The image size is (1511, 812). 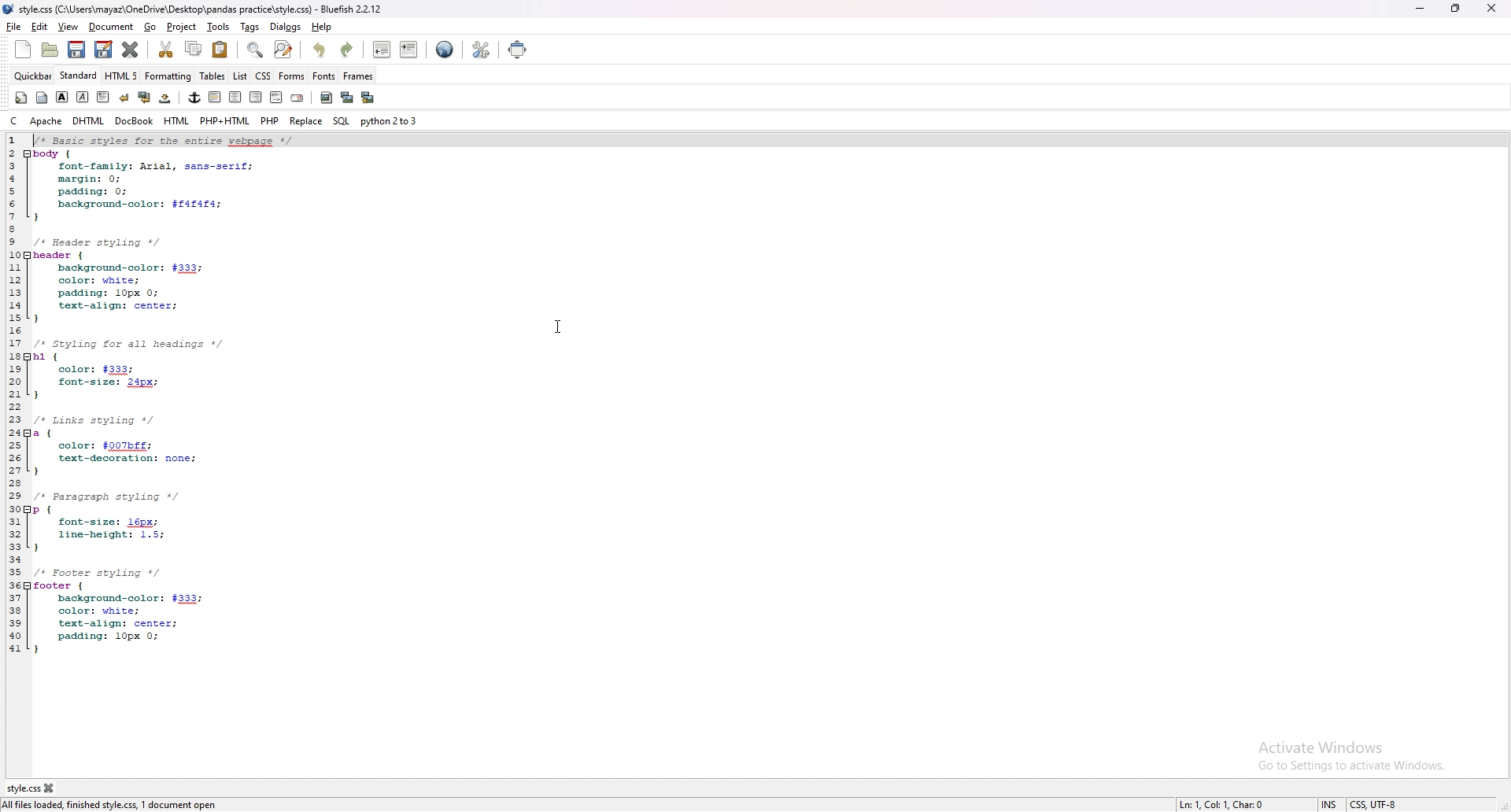 I want to click on copy, so click(x=193, y=48).